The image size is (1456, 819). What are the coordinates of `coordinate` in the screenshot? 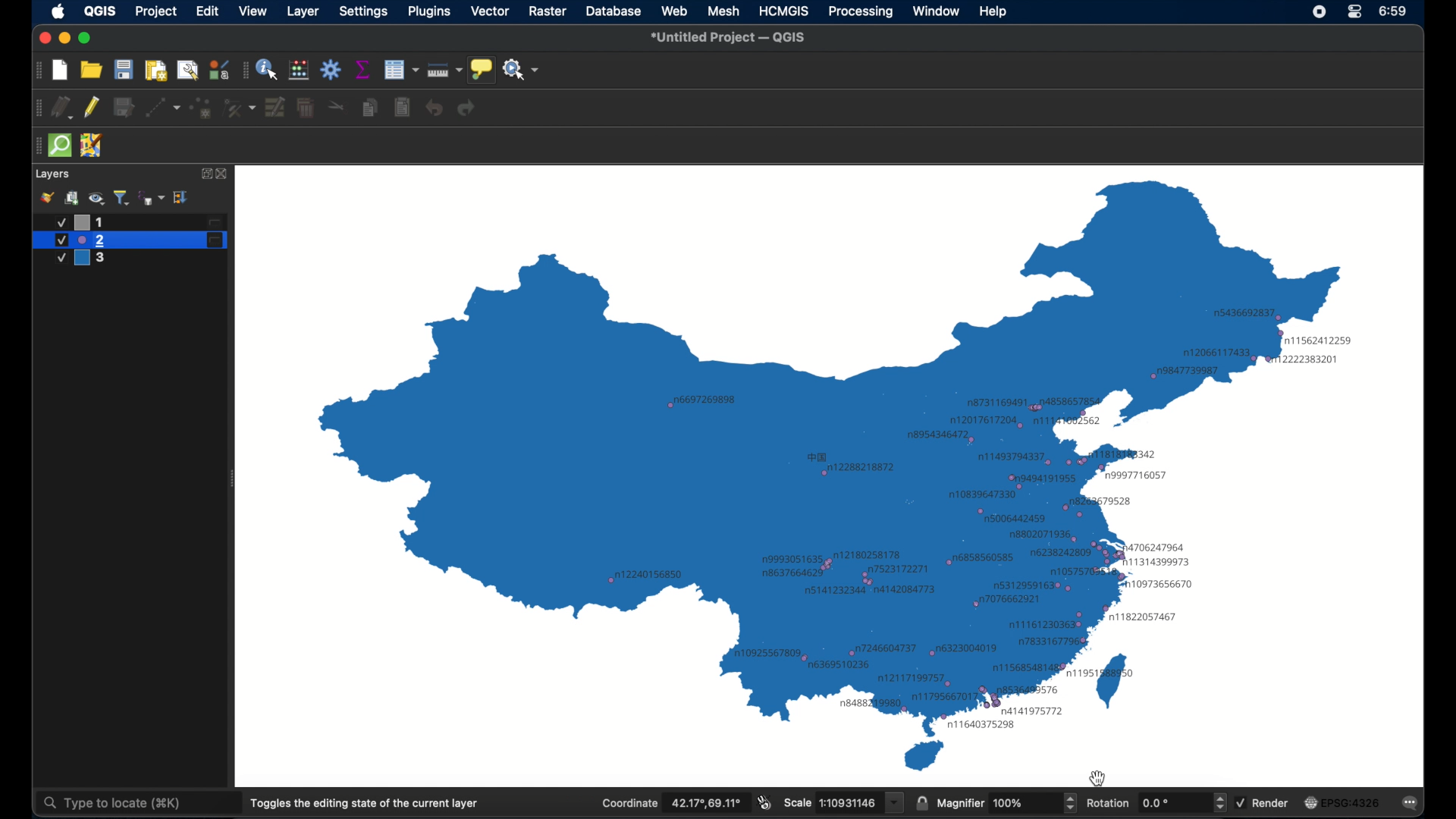 It's located at (673, 804).